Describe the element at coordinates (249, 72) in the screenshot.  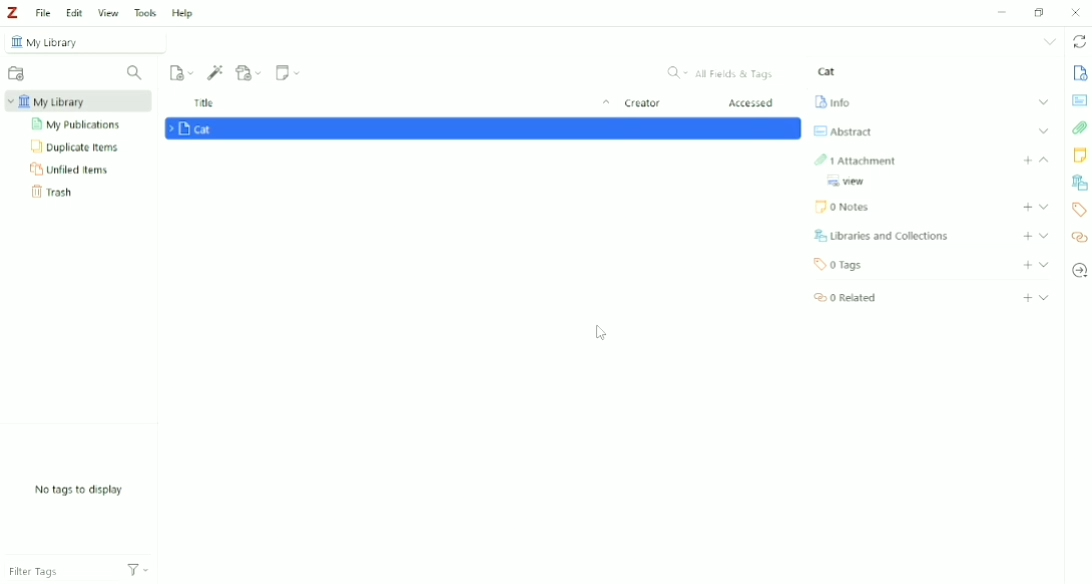
I see `Add Attachment` at that location.